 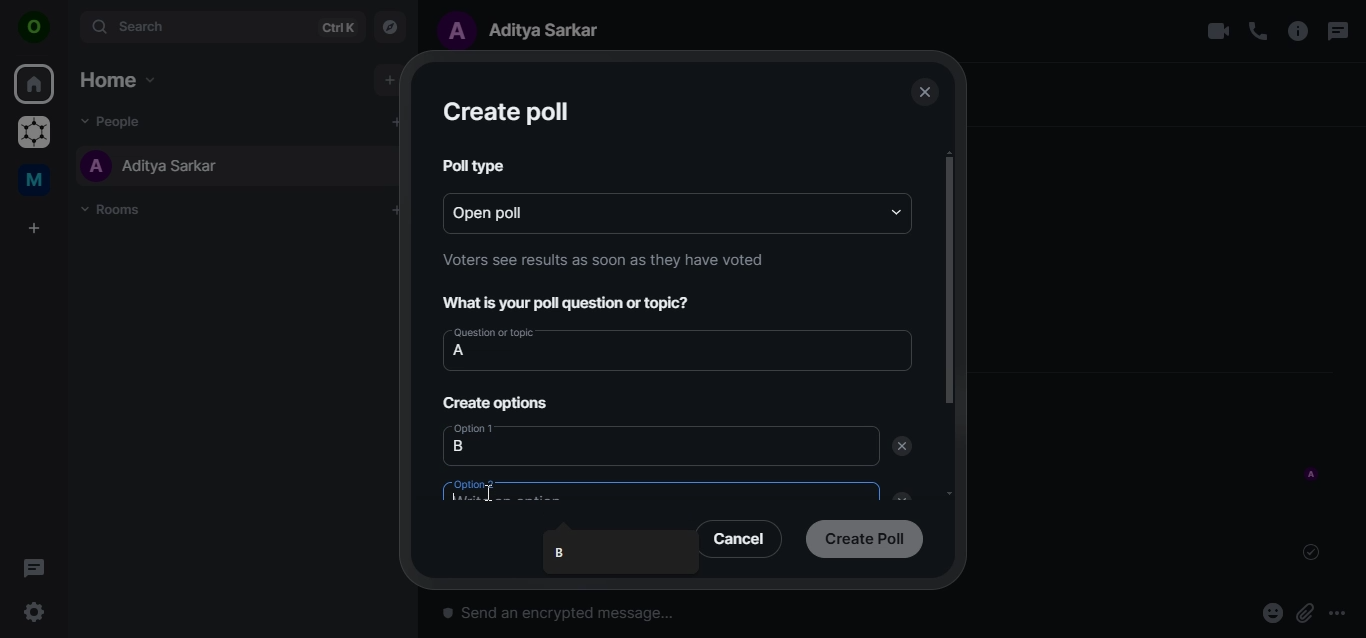 What do you see at coordinates (1305, 614) in the screenshot?
I see `attachments` at bounding box center [1305, 614].